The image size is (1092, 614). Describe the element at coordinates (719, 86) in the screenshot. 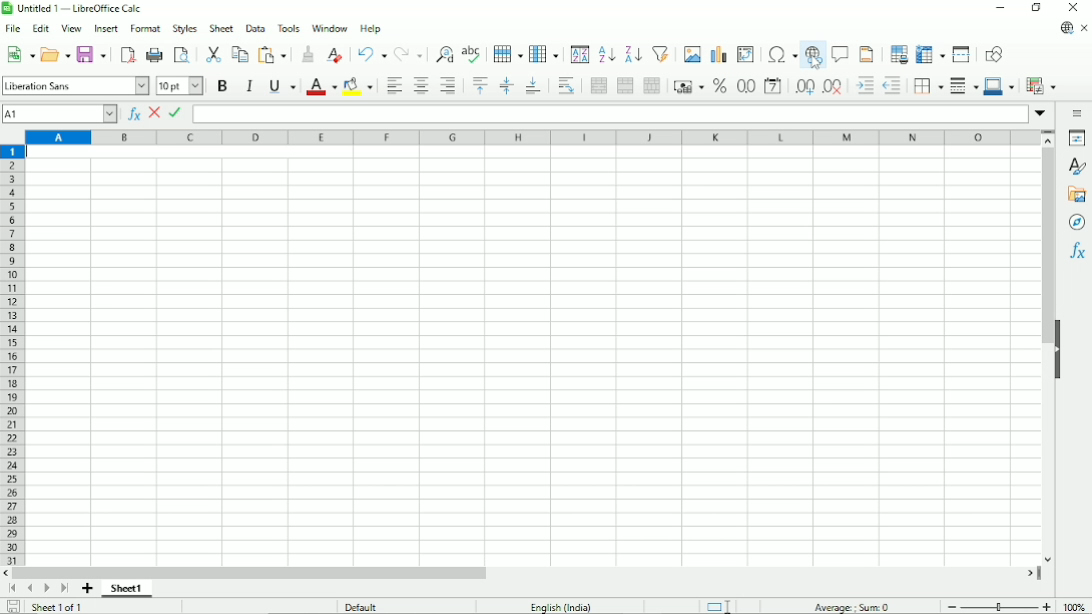

I see `Format as percent` at that location.